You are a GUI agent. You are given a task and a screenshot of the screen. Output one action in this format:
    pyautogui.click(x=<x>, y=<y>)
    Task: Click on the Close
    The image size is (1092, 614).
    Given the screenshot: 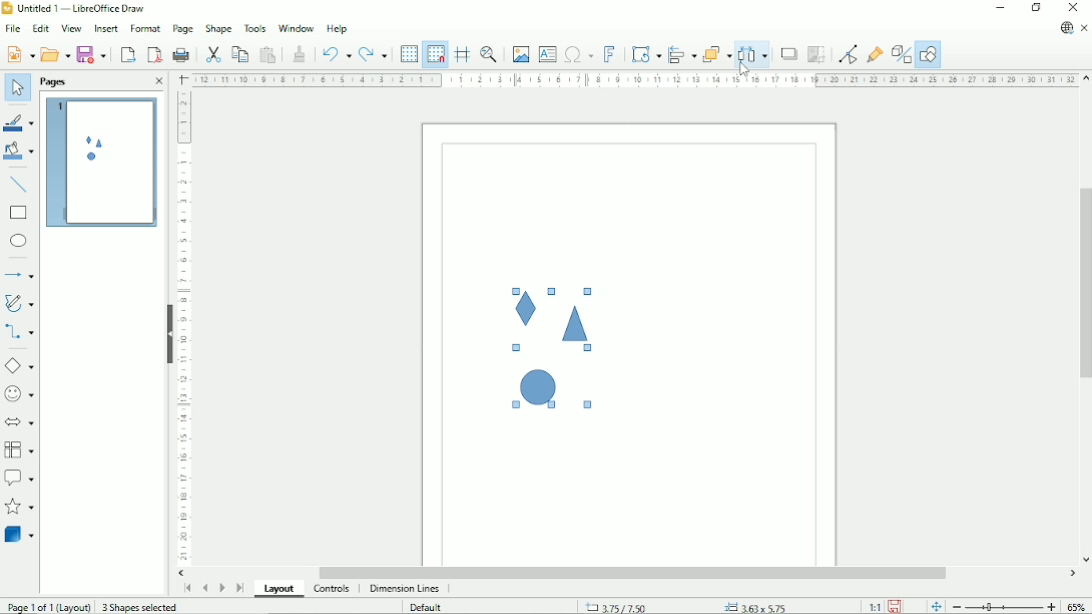 What is the action you would take?
    pyautogui.click(x=158, y=82)
    